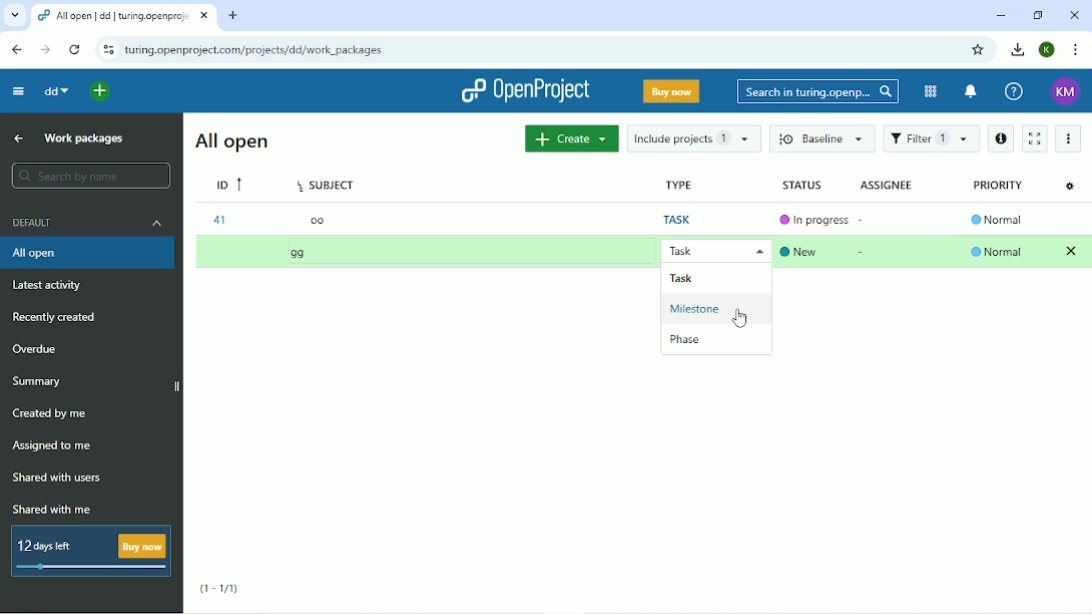 The height and width of the screenshot is (614, 1092). What do you see at coordinates (230, 141) in the screenshot?
I see `All open` at bounding box center [230, 141].